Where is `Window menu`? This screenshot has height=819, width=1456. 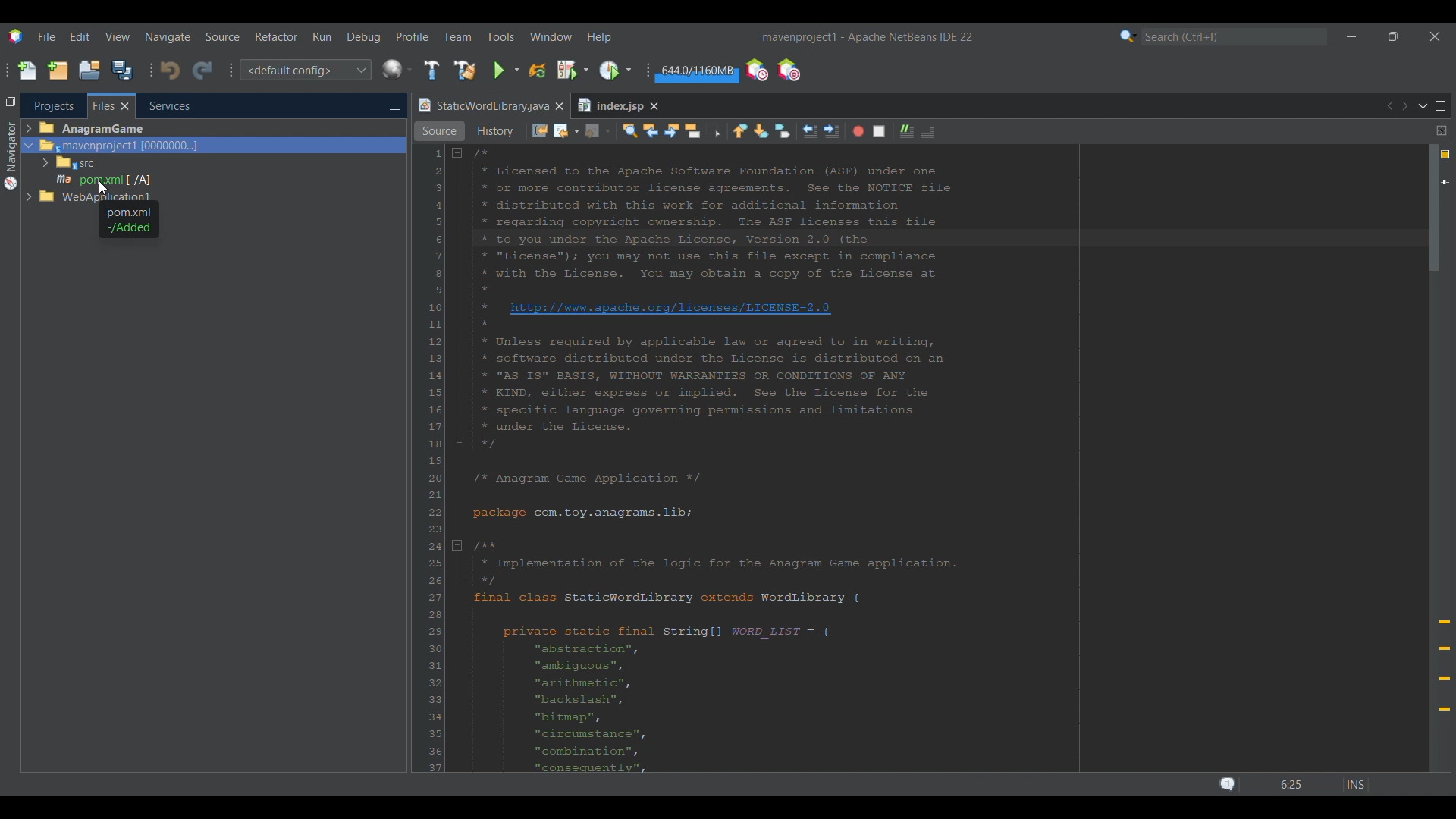 Window menu is located at coordinates (551, 36).